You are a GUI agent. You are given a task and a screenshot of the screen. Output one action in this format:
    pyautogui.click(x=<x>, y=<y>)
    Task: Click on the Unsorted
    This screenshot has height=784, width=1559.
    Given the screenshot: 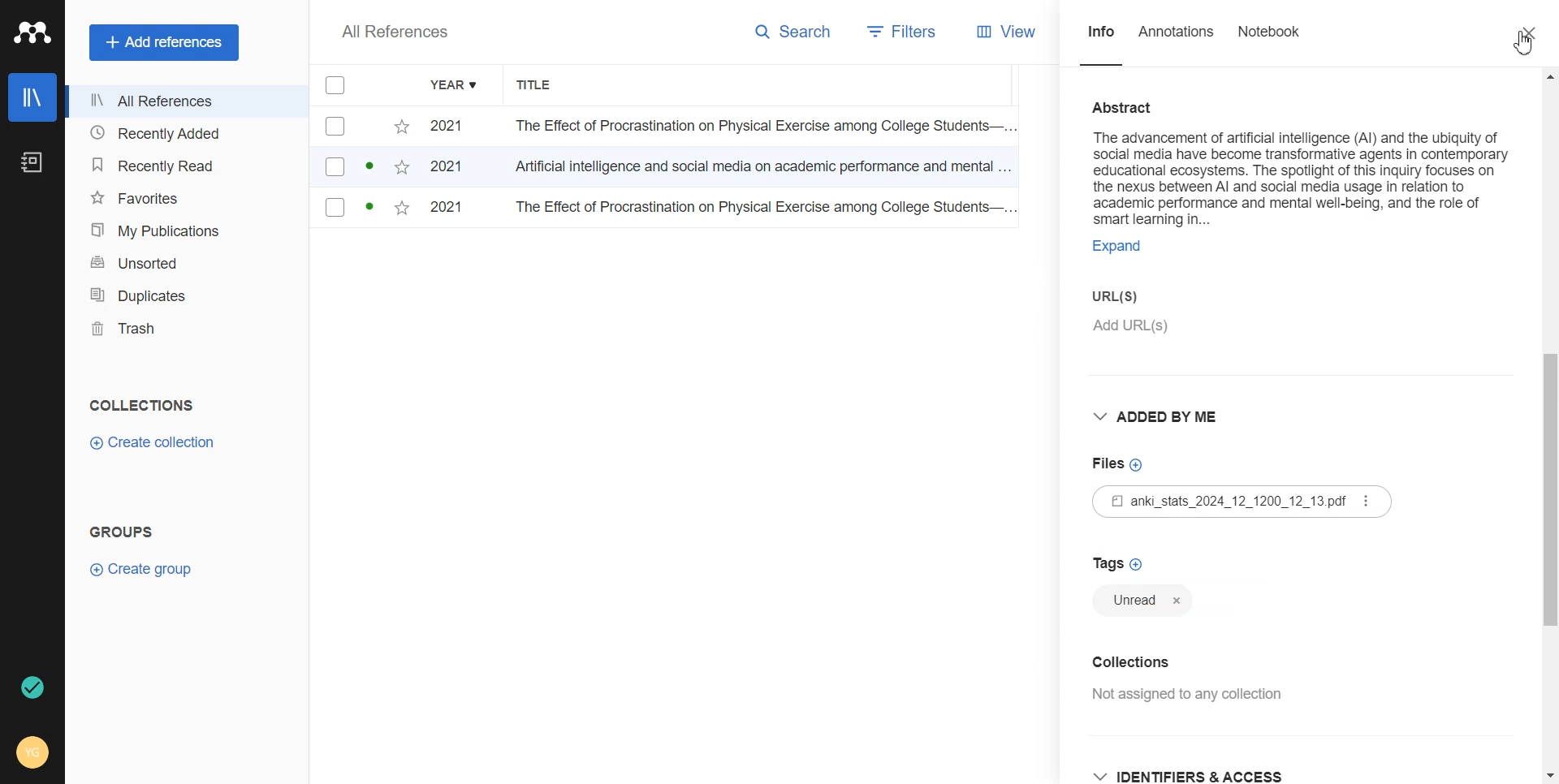 What is the action you would take?
    pyautogui.click(x=185, y=261)
    